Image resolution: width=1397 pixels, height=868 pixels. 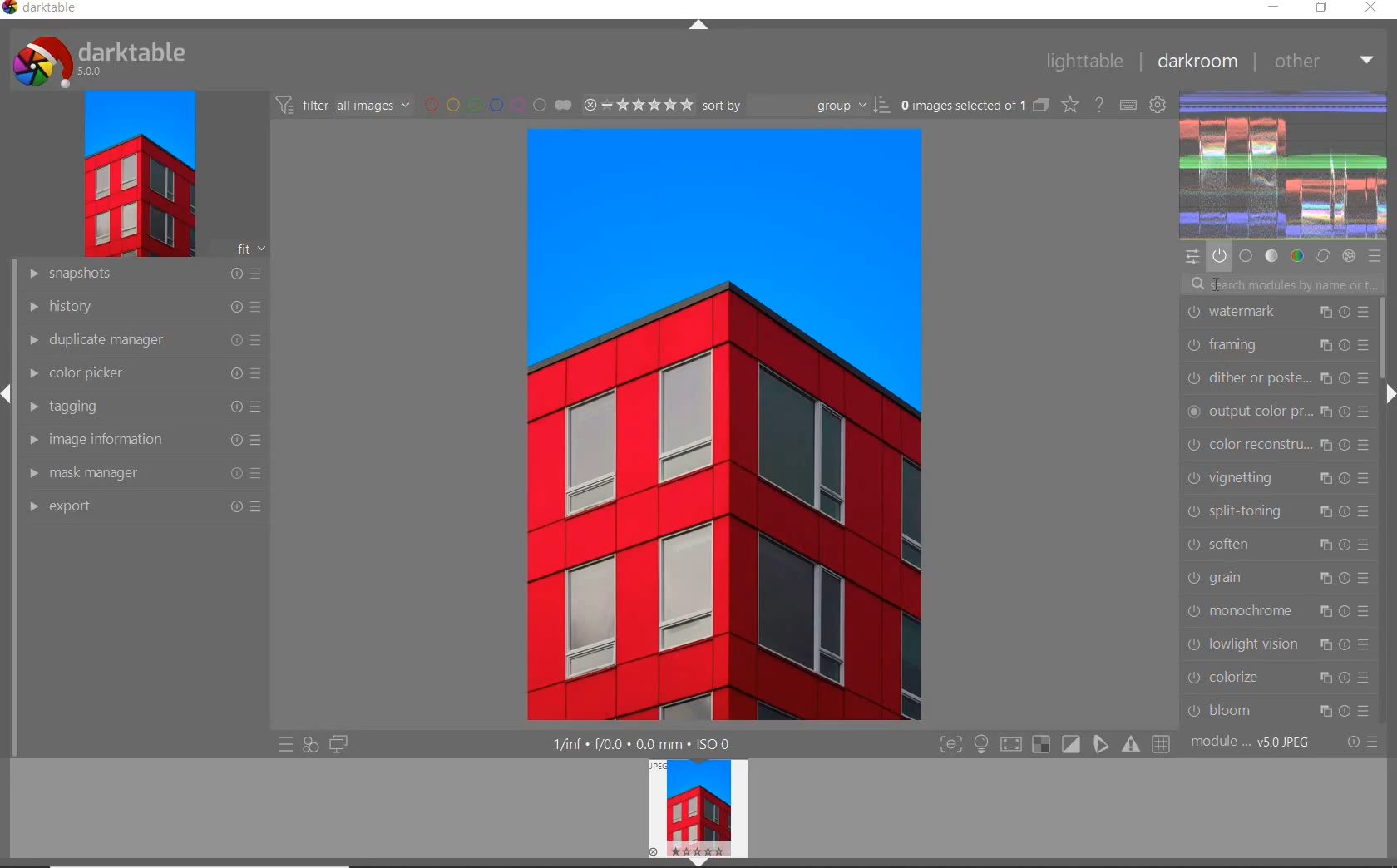 I want to click on tagging, so click(x=141, y=408).